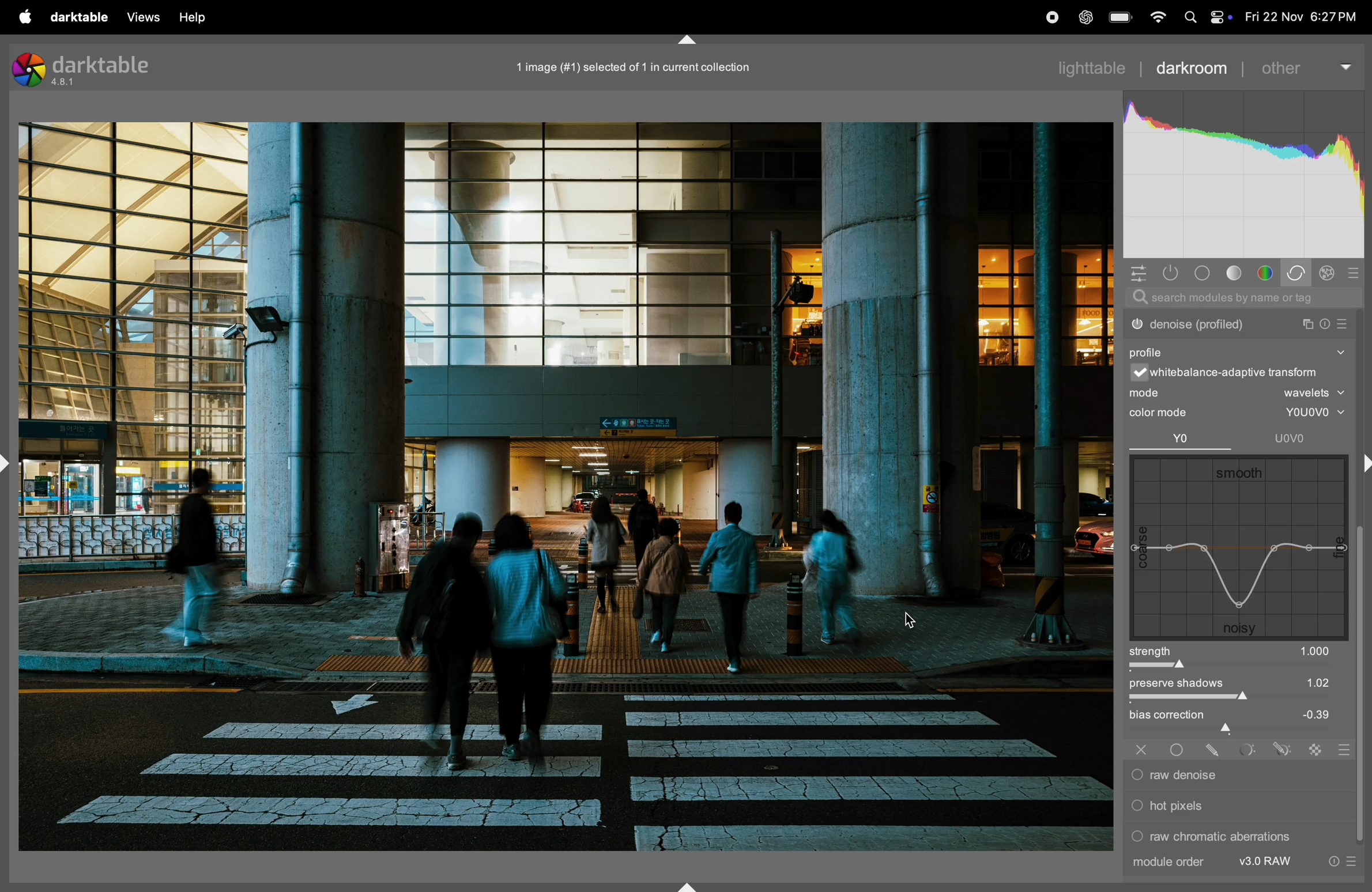 Image resolution: width=1372 pixels, height=892 pixels. I want to click on raw denoise, so click(1233, 776).